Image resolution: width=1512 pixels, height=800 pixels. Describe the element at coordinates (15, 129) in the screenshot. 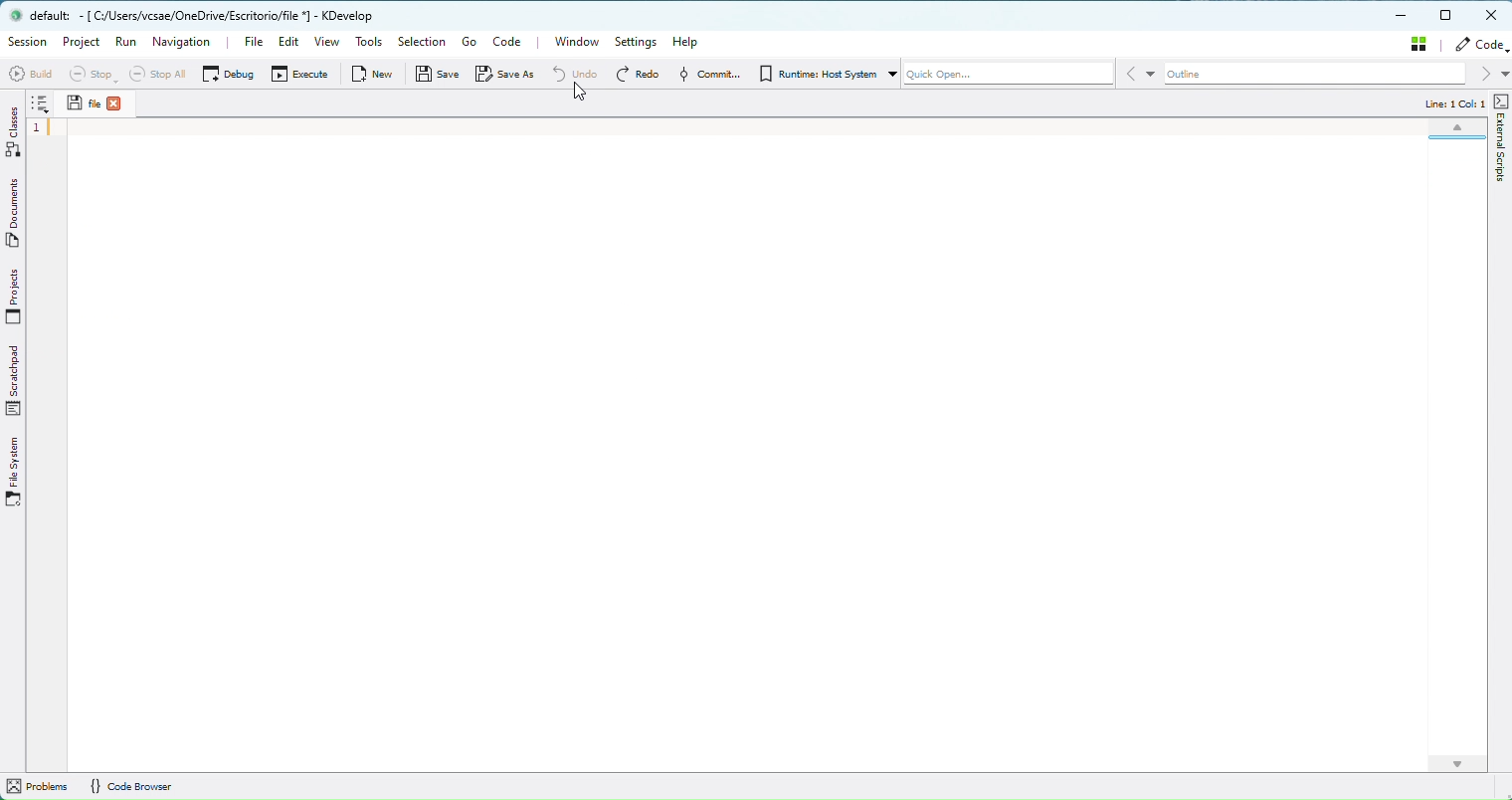

I see `Classes` at that location.